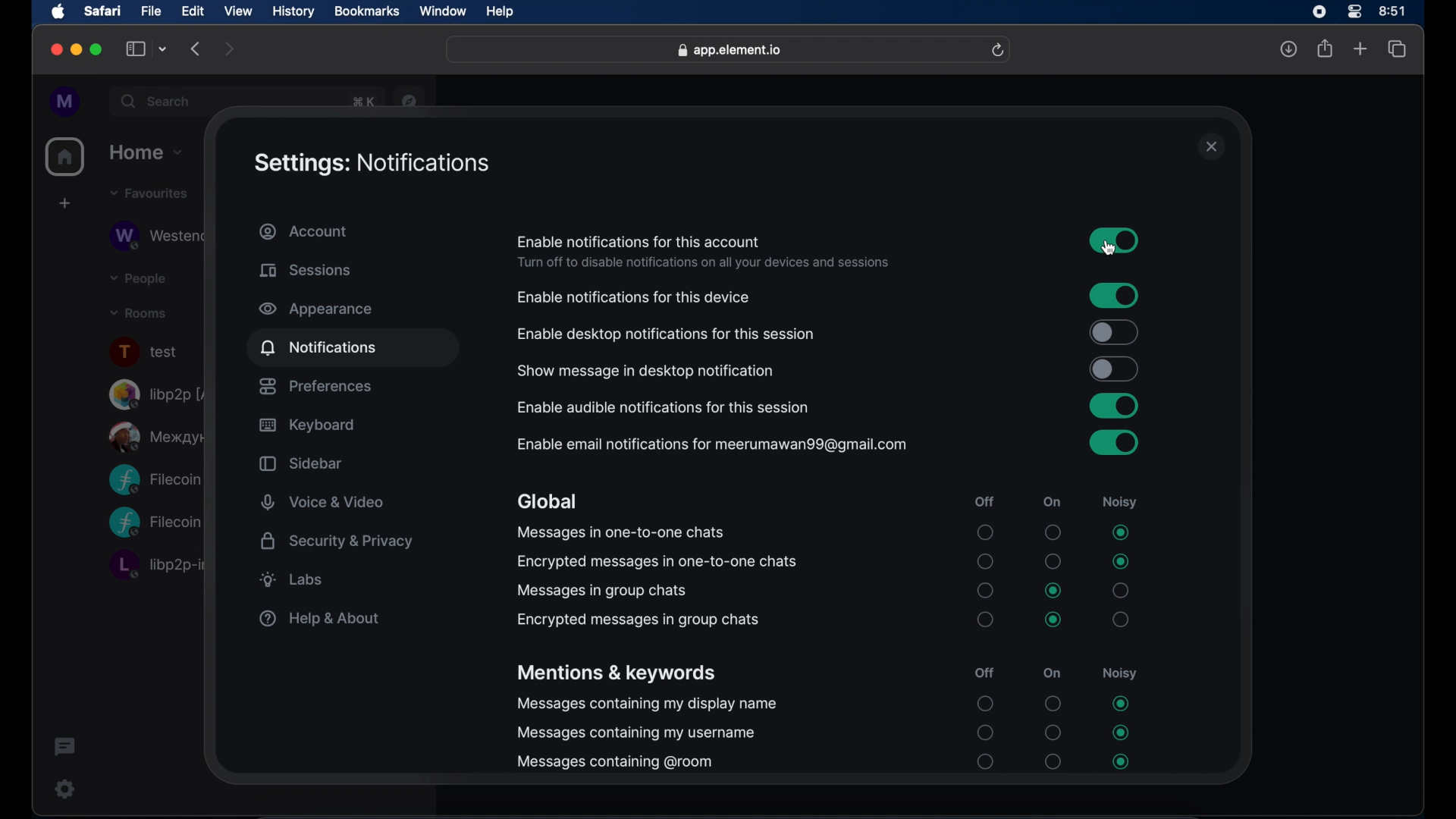  What do you see at coordinates (701, 263) in the screenshot?
I see `info- turn off to disable notifications on all devices and sessions.` at bounding box center [701, 263].